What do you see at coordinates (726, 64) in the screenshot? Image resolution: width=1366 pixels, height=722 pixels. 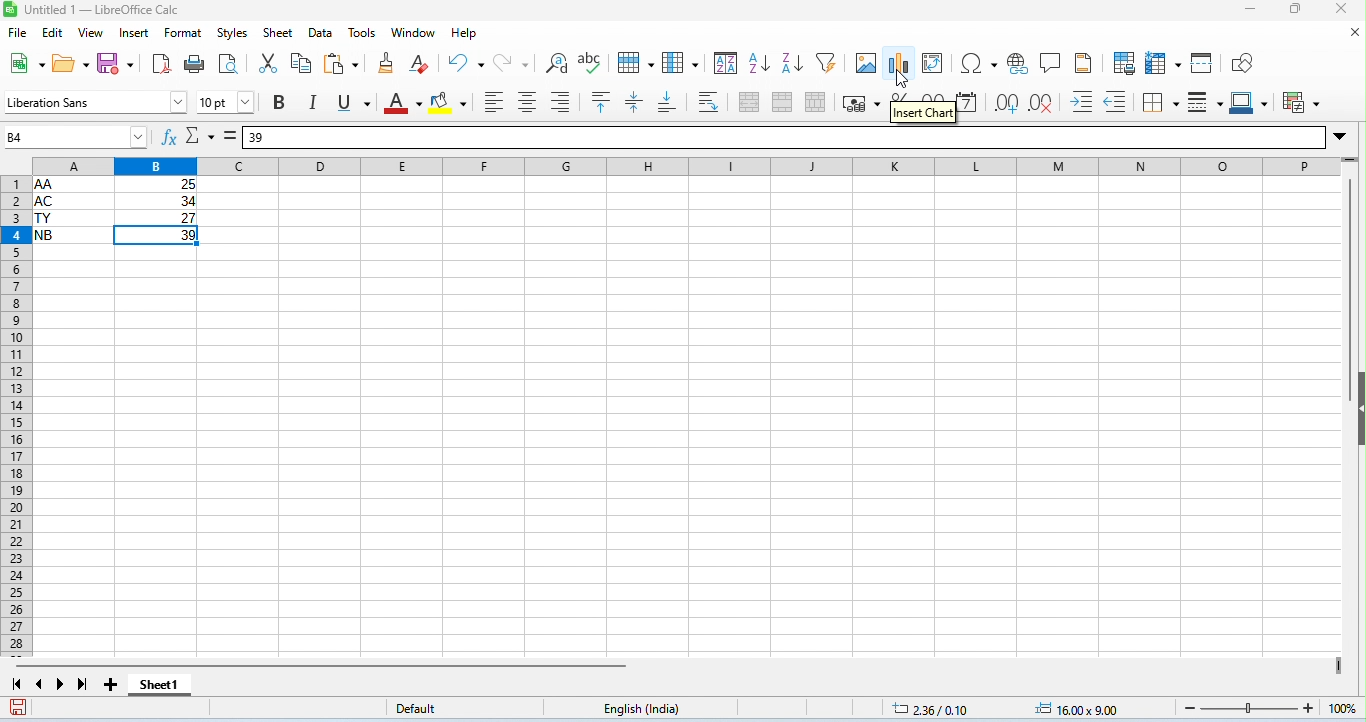 I see `sort` at bounding box center [726, 64].